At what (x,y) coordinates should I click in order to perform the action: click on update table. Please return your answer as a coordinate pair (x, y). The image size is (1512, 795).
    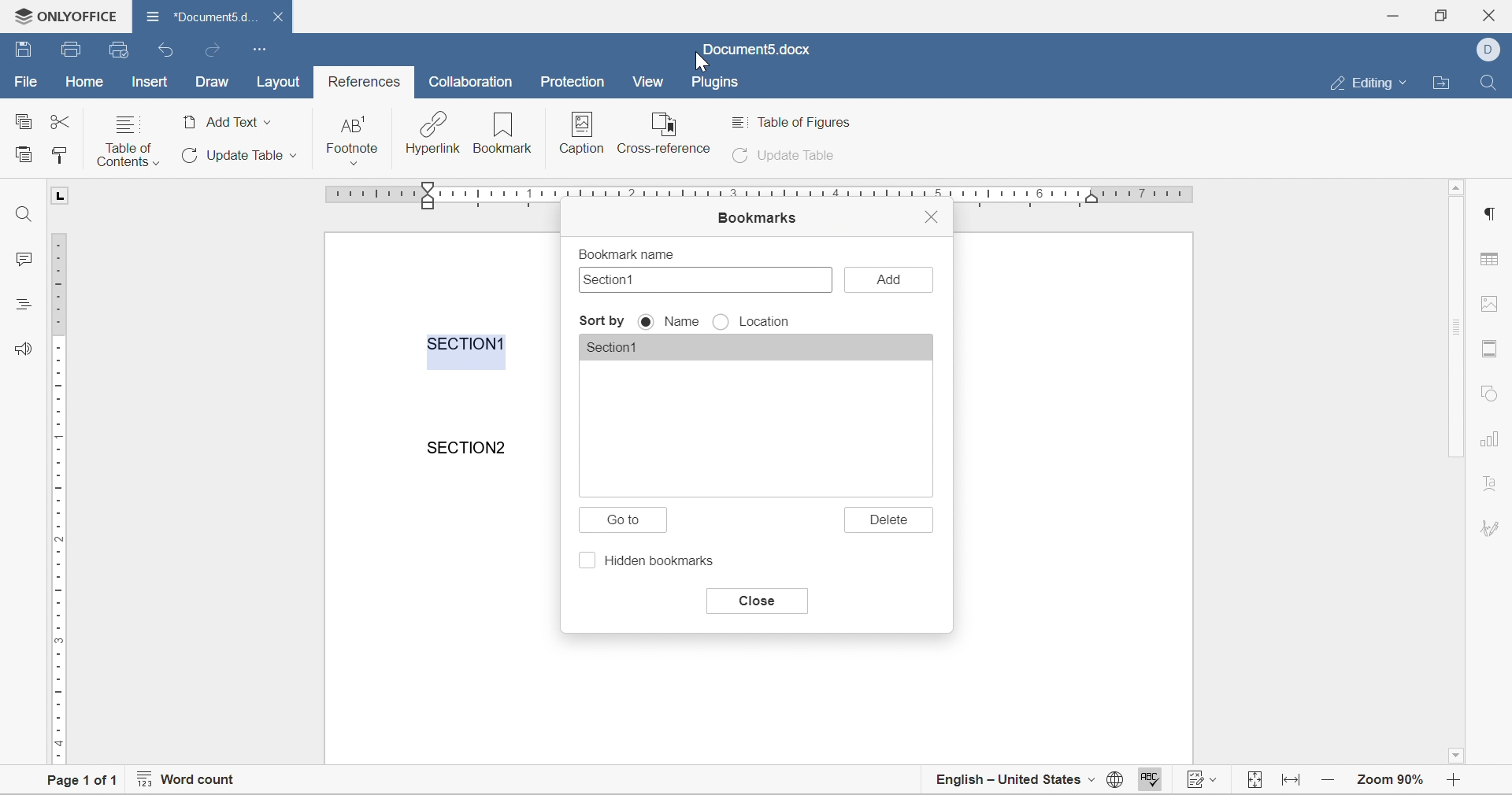
    Looking at the image, I should click on (236, 155).